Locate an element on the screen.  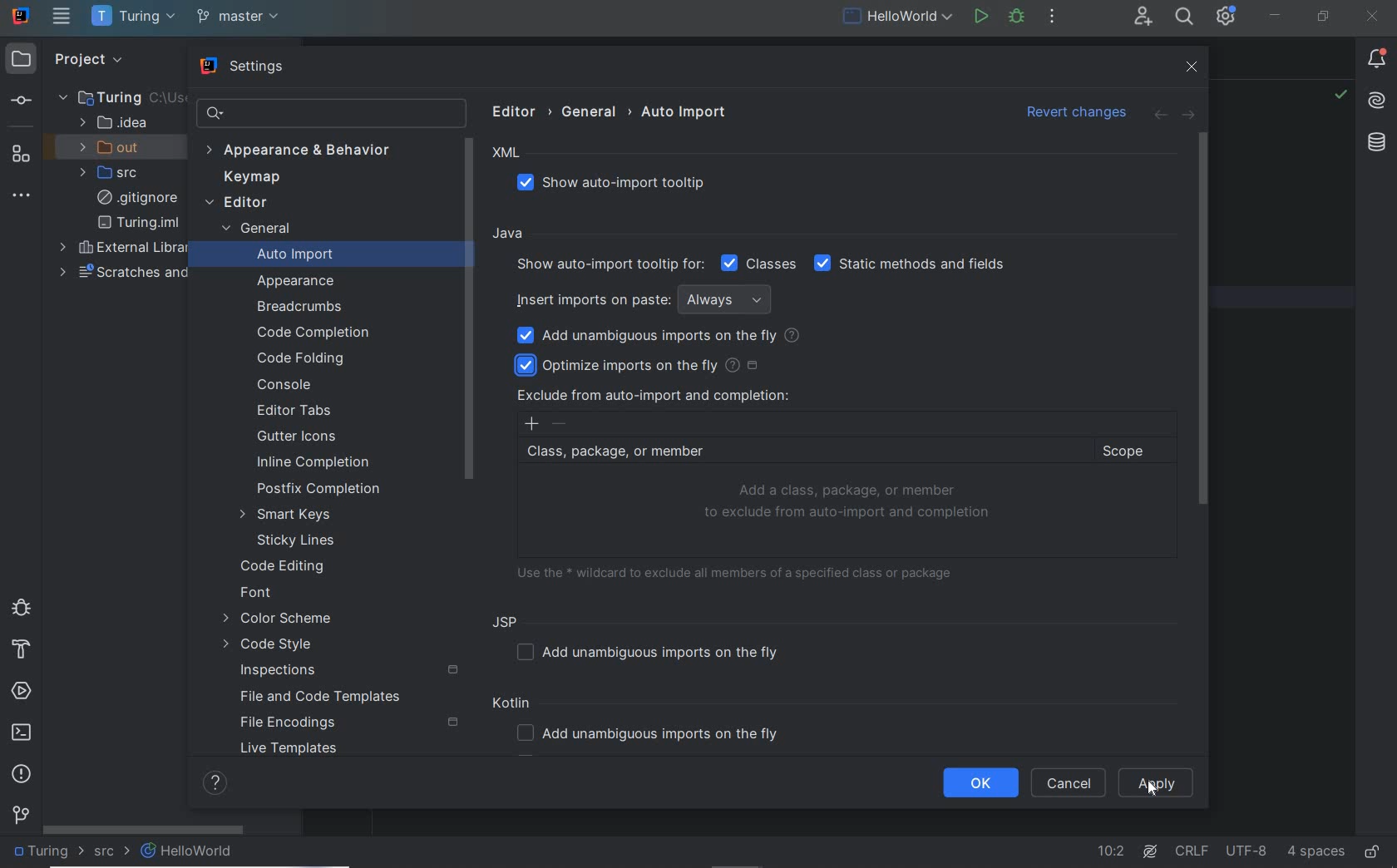
go to line 10:2 is located at coordinates (1111, 851).